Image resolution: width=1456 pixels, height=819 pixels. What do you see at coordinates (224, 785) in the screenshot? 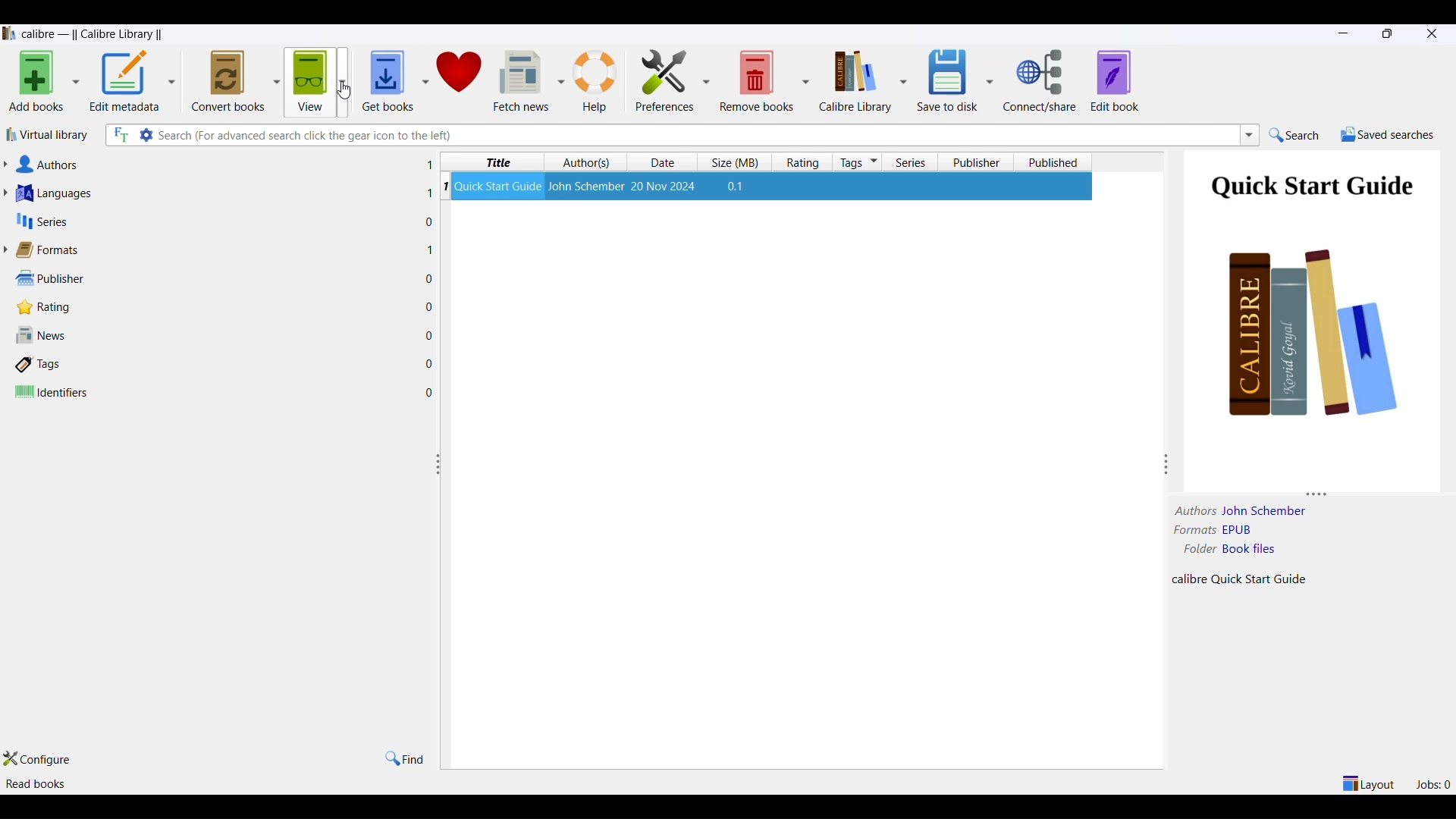
I see `total books` at bounding box center [224, 785].